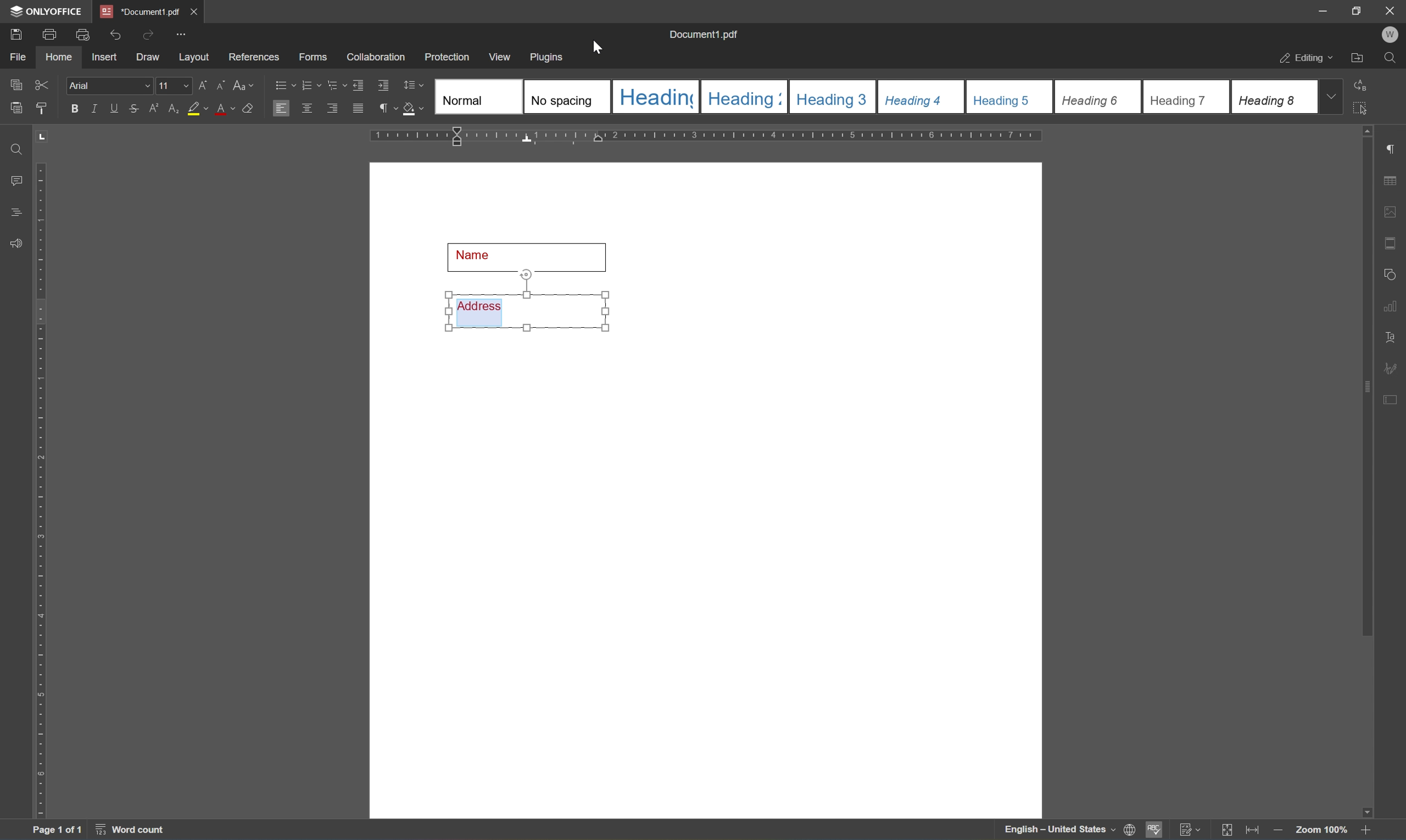 This screenshot has width=1406, height=840. I want to click on collaboration, so click(377, 59).